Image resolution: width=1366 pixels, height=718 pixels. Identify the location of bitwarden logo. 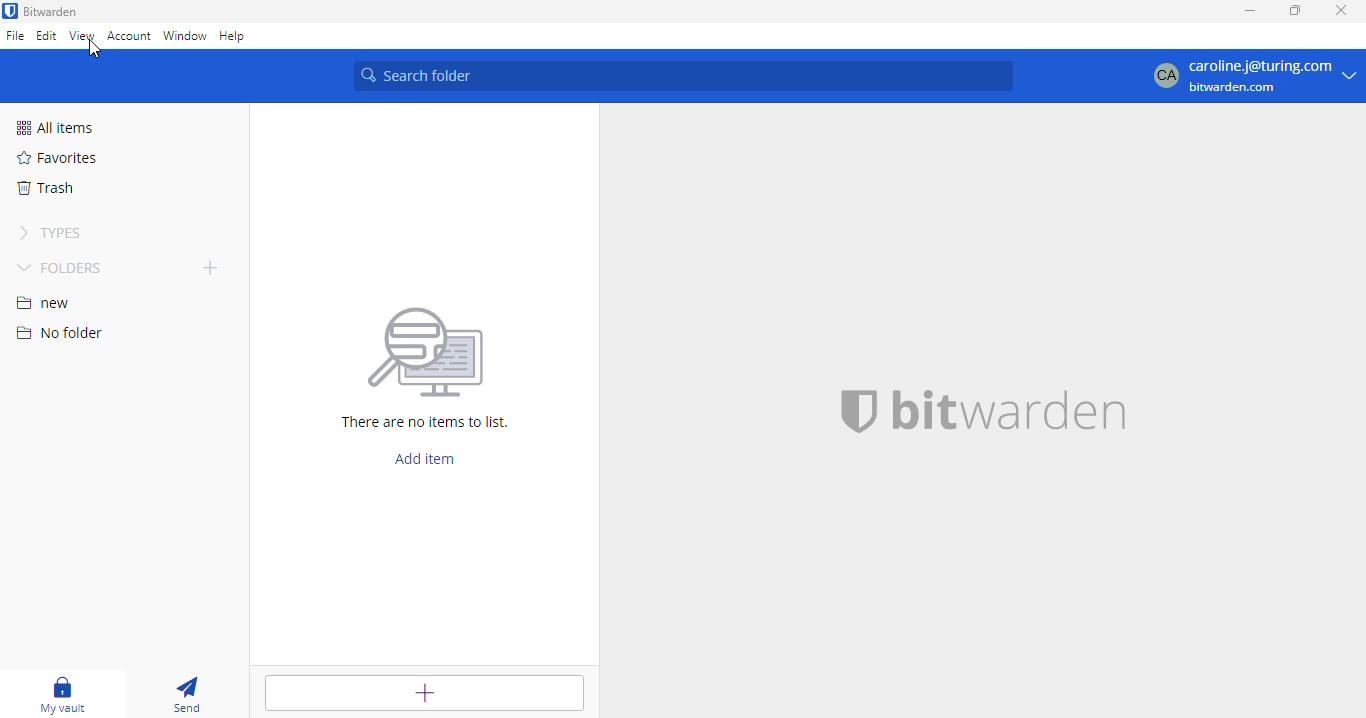
(859, 413).